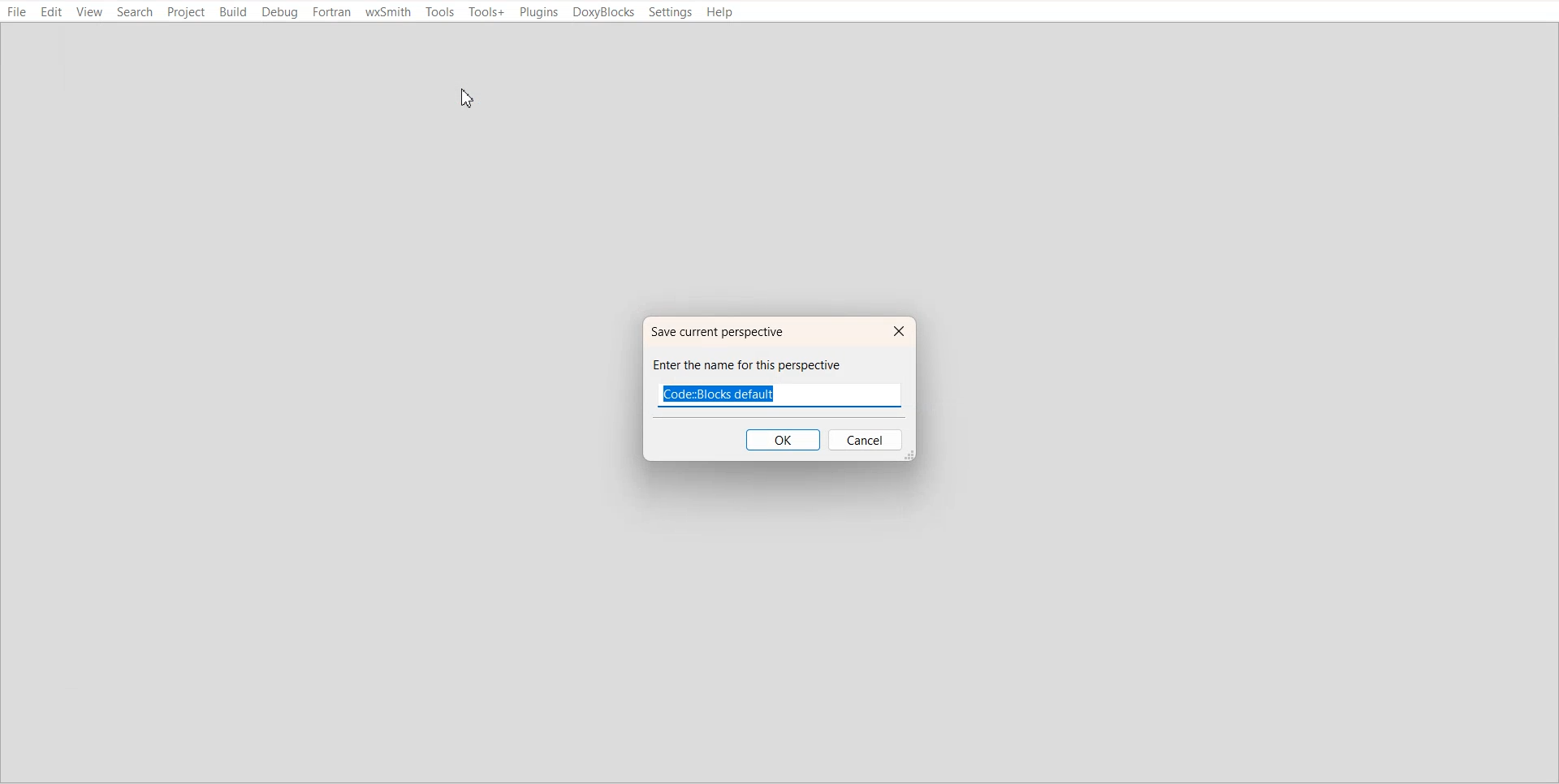 The image size is (1559, 784). I want to click on Settings, so click(671, 12).